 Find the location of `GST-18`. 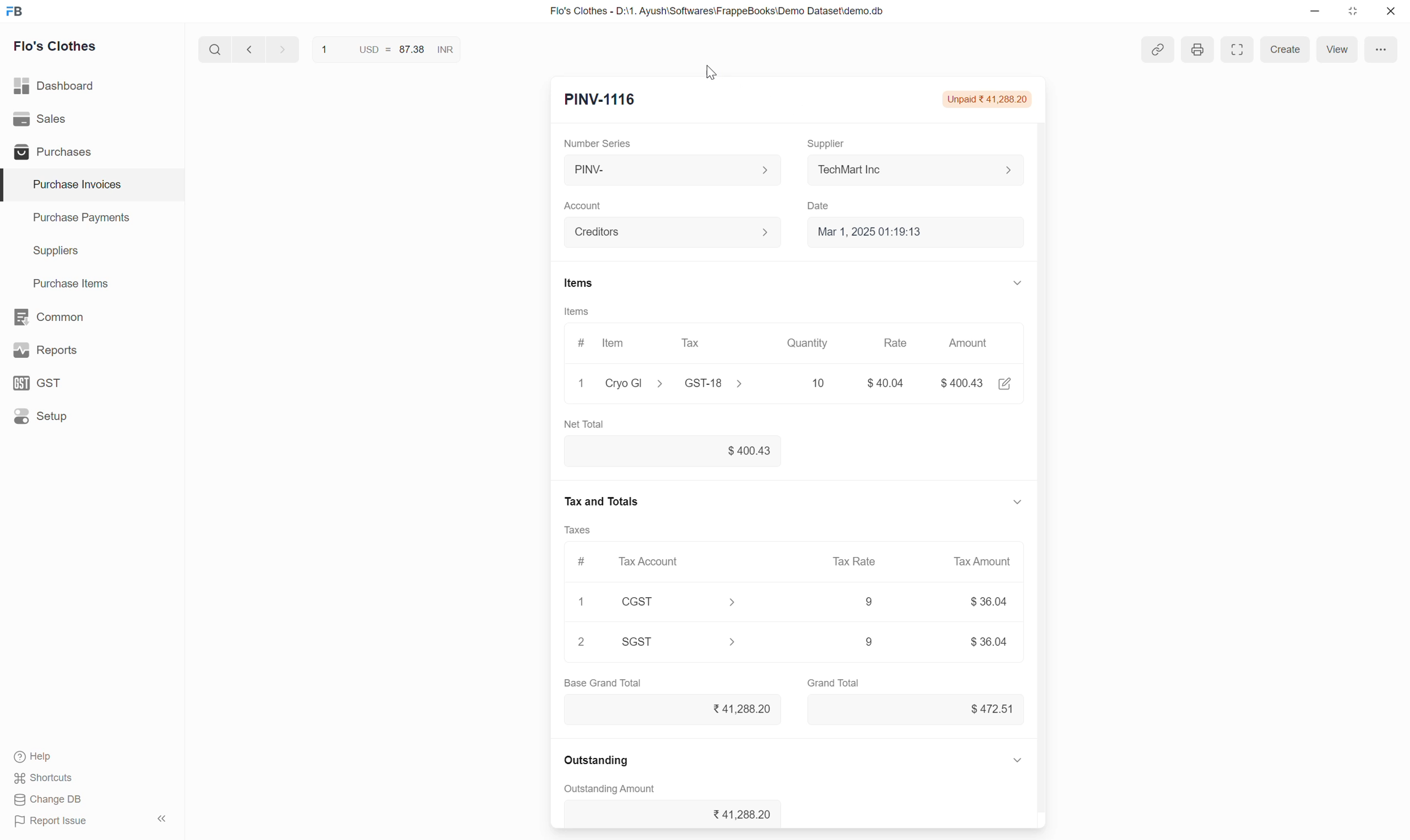

GST-18 is located at coordinates (712, 383).